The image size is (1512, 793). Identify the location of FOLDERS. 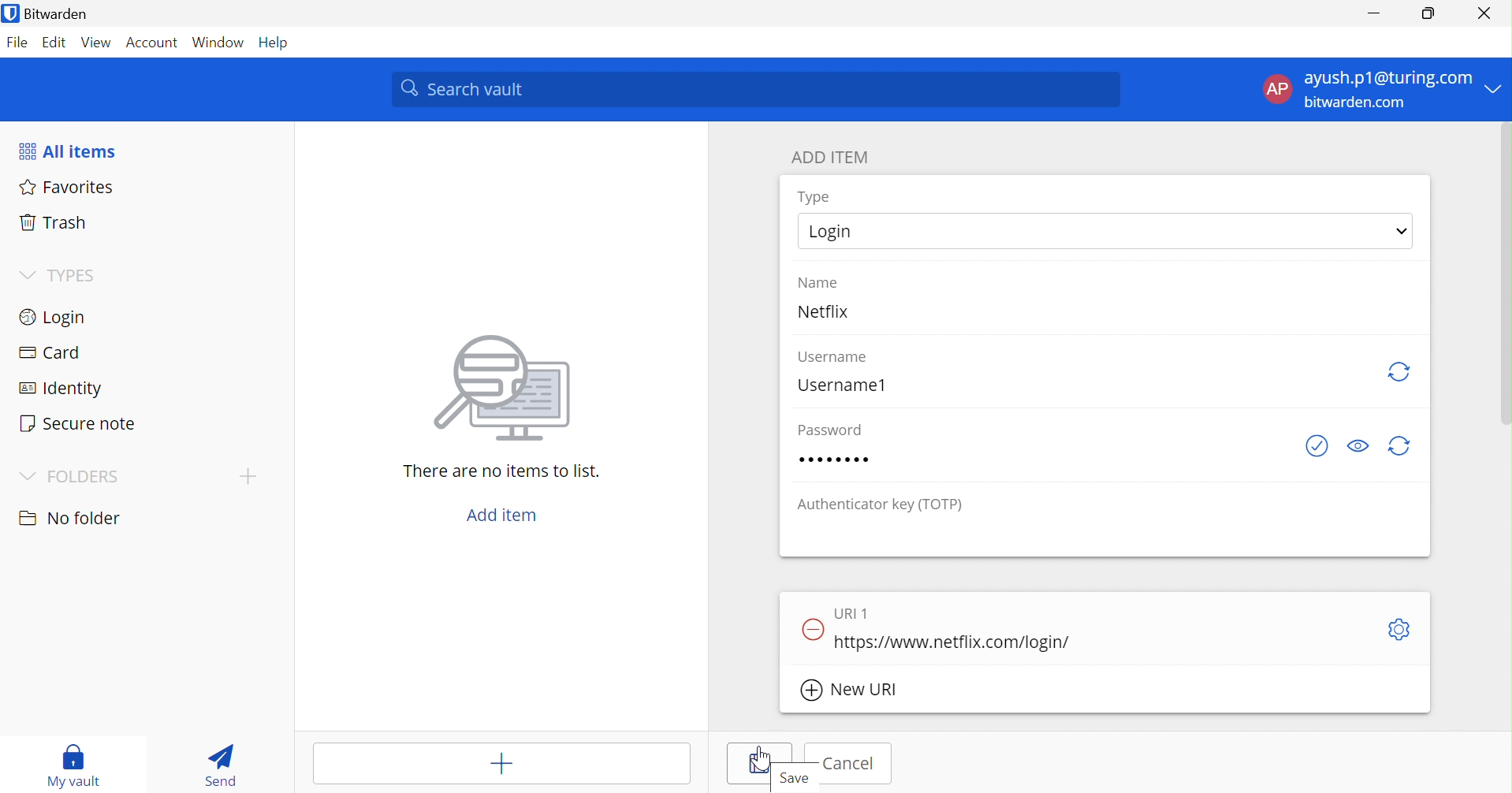
(67, 478).